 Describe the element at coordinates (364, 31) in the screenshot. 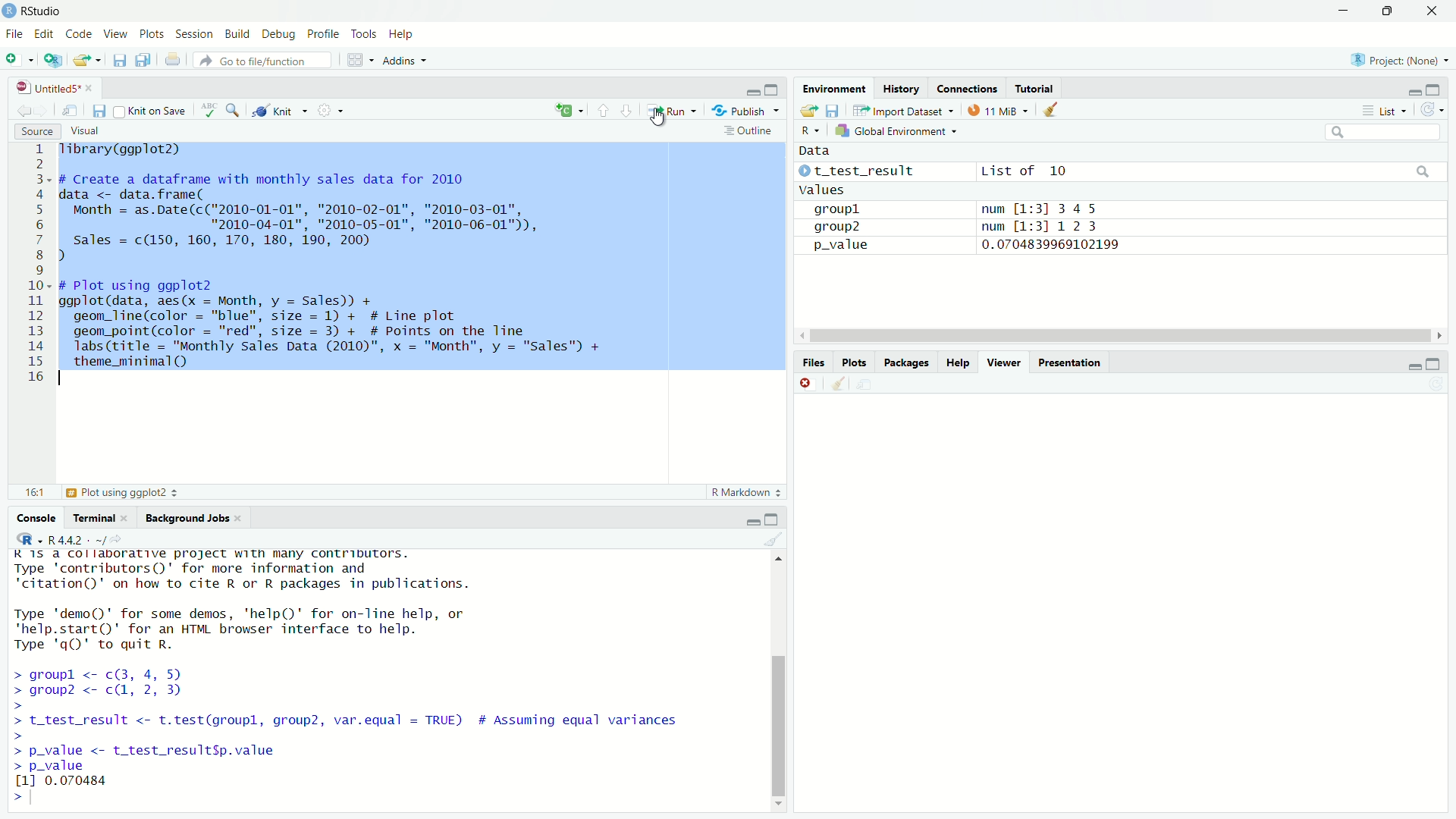

I see `Tools` at that location.